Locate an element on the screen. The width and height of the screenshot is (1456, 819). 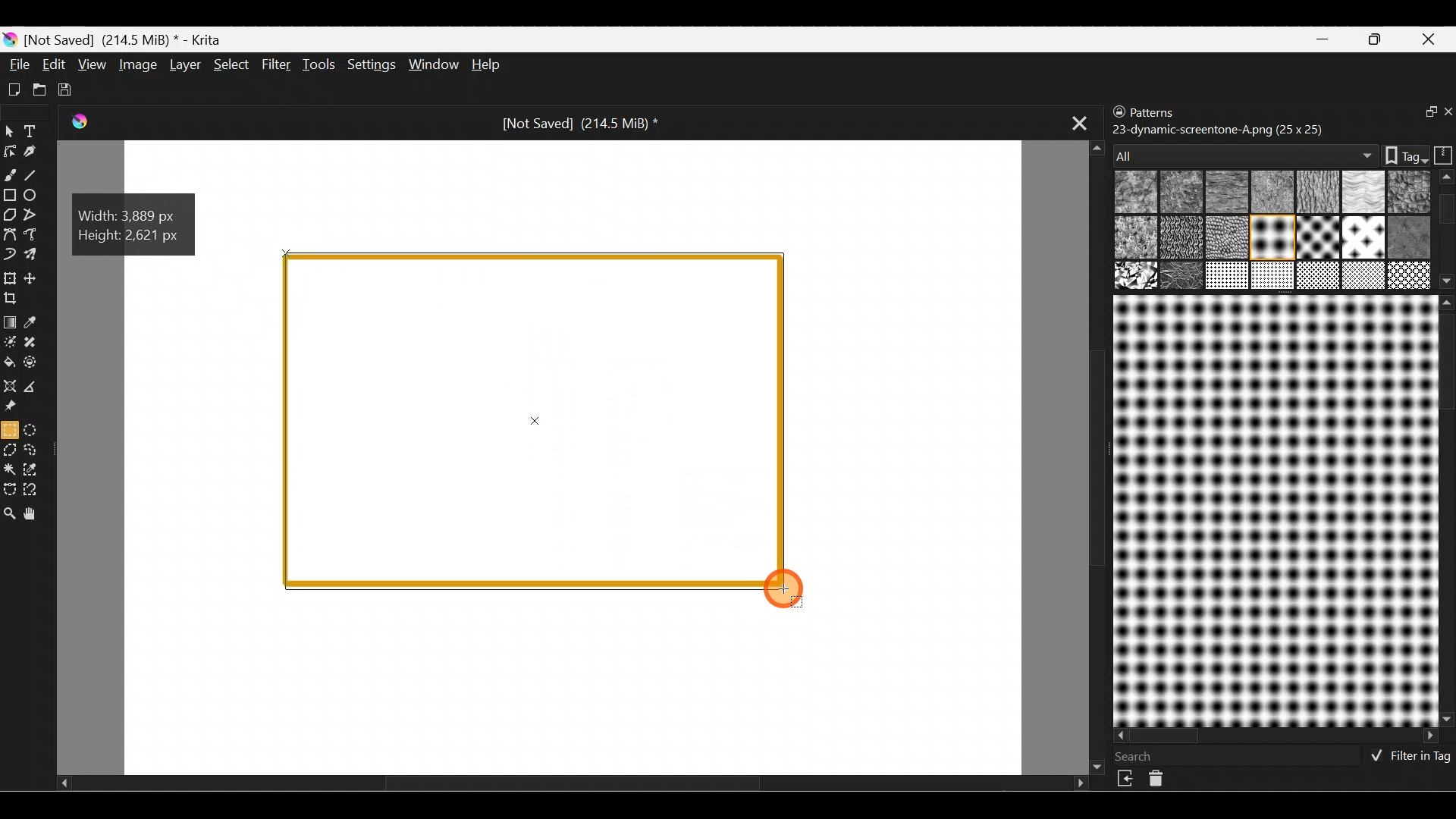
Float docker is located at coordinates (1421, 113).